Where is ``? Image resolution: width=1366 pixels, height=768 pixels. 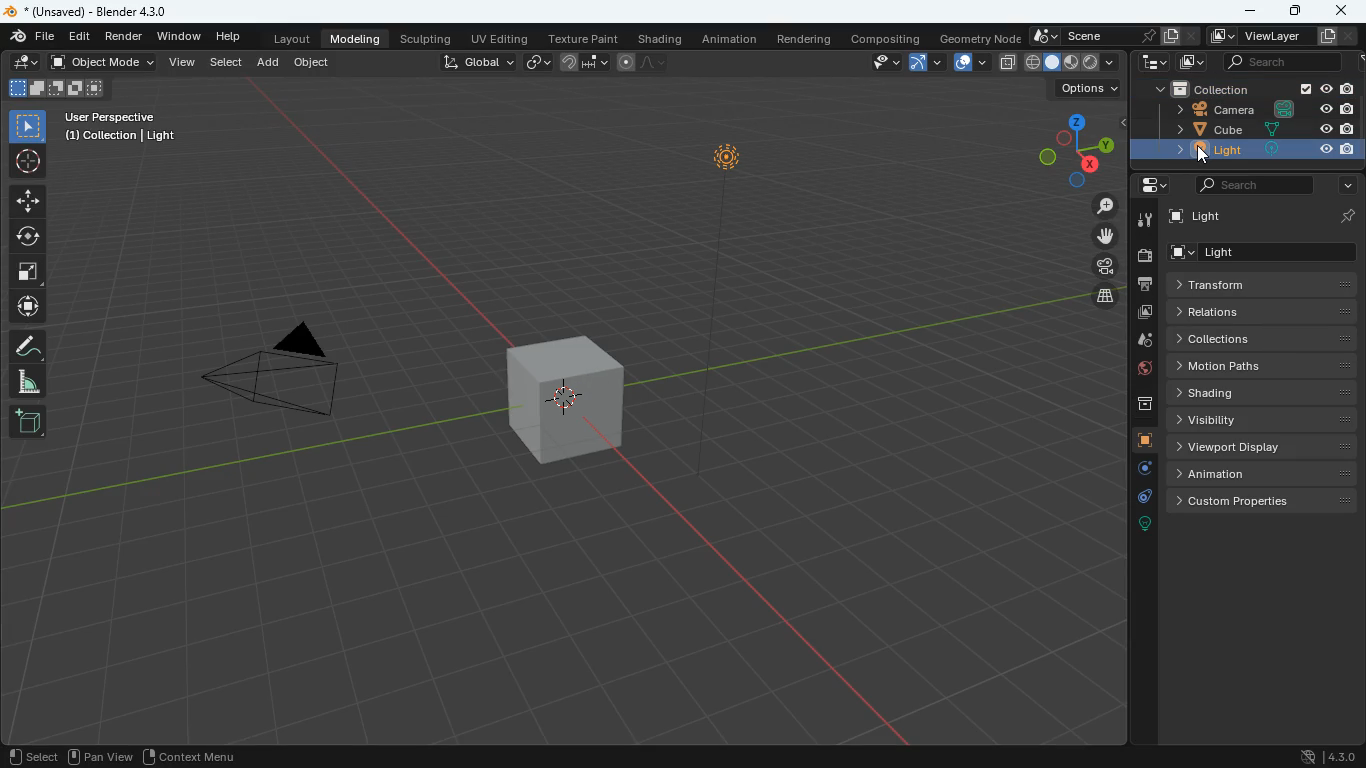  is located at coordinates (1142, 467).